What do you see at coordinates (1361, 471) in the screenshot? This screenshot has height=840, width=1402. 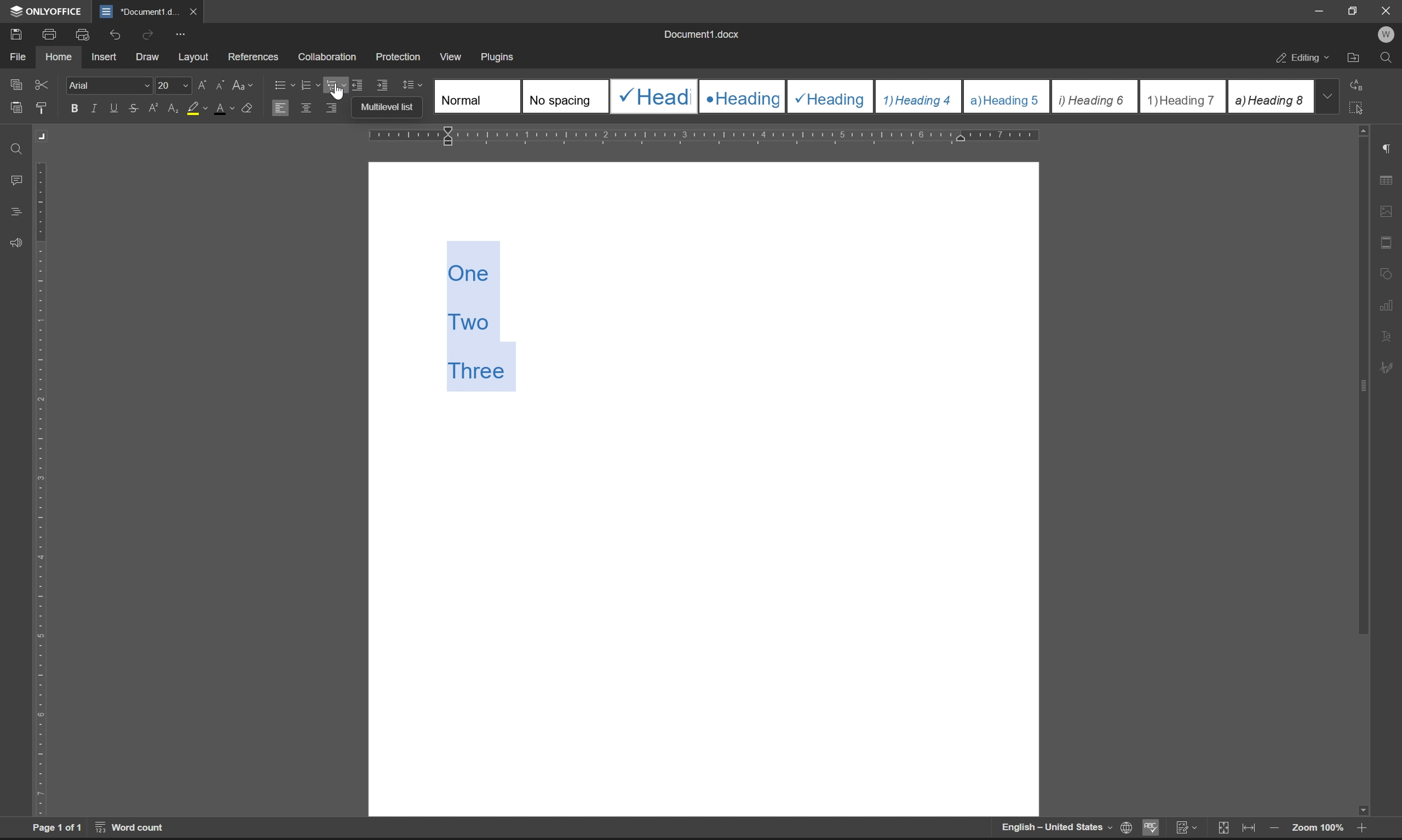 I see `scroll bar` at bounding box center [1361, 471].